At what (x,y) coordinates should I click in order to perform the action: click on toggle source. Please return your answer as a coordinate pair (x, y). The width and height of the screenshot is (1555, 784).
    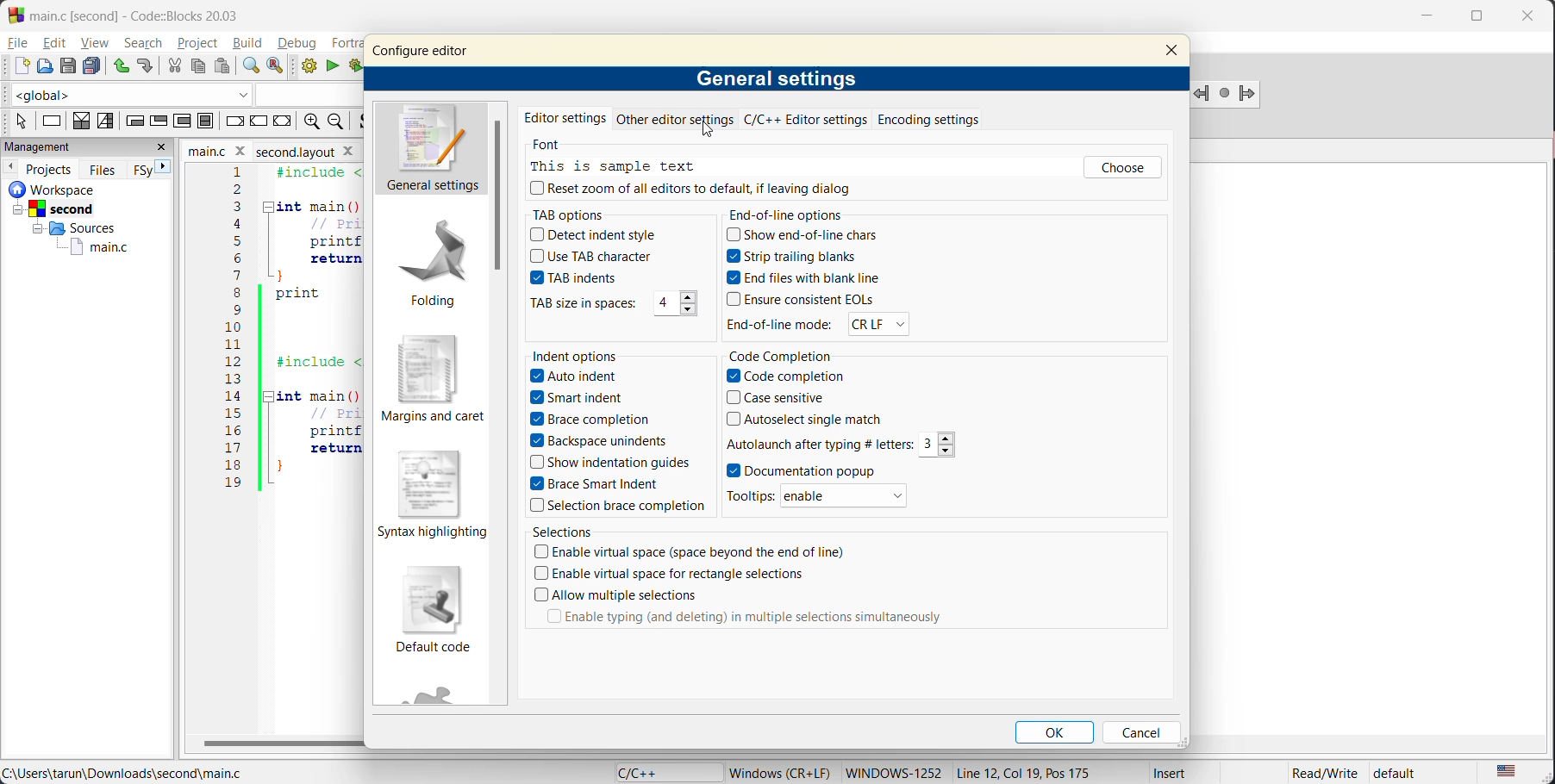
    Looking at the image, I should click on (365, 121).